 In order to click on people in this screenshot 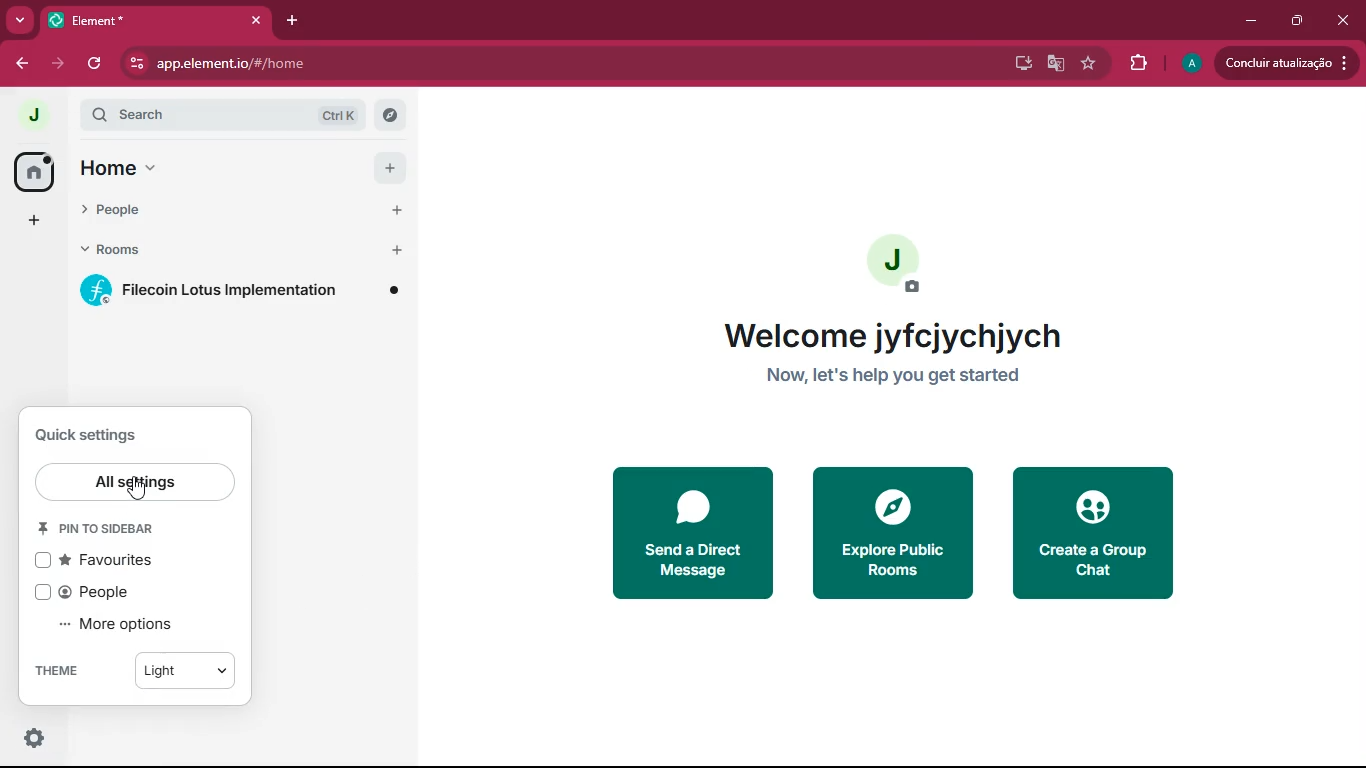, I will do `click(94, 592)`.